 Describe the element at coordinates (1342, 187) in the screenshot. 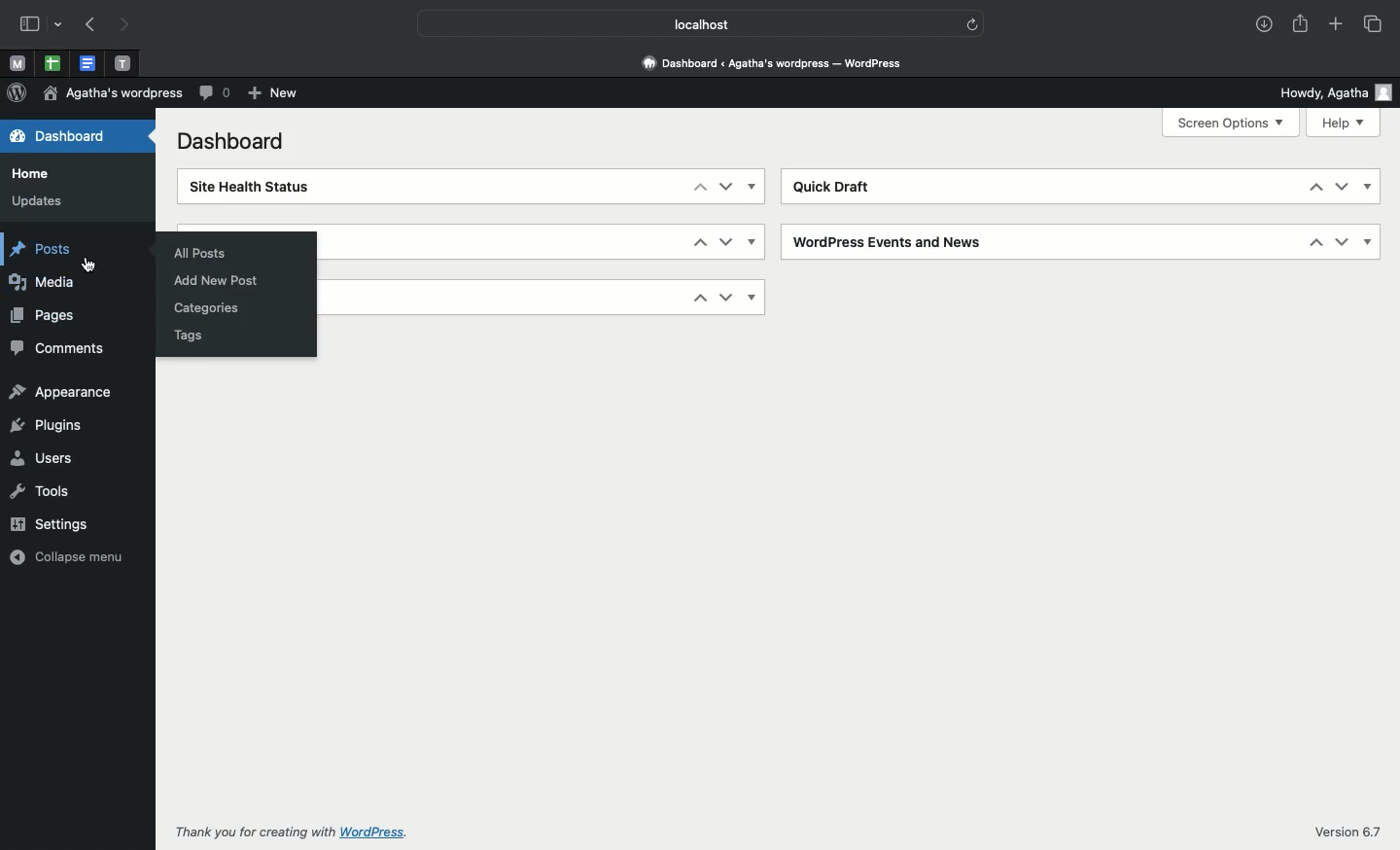

I see `Down` at that location.